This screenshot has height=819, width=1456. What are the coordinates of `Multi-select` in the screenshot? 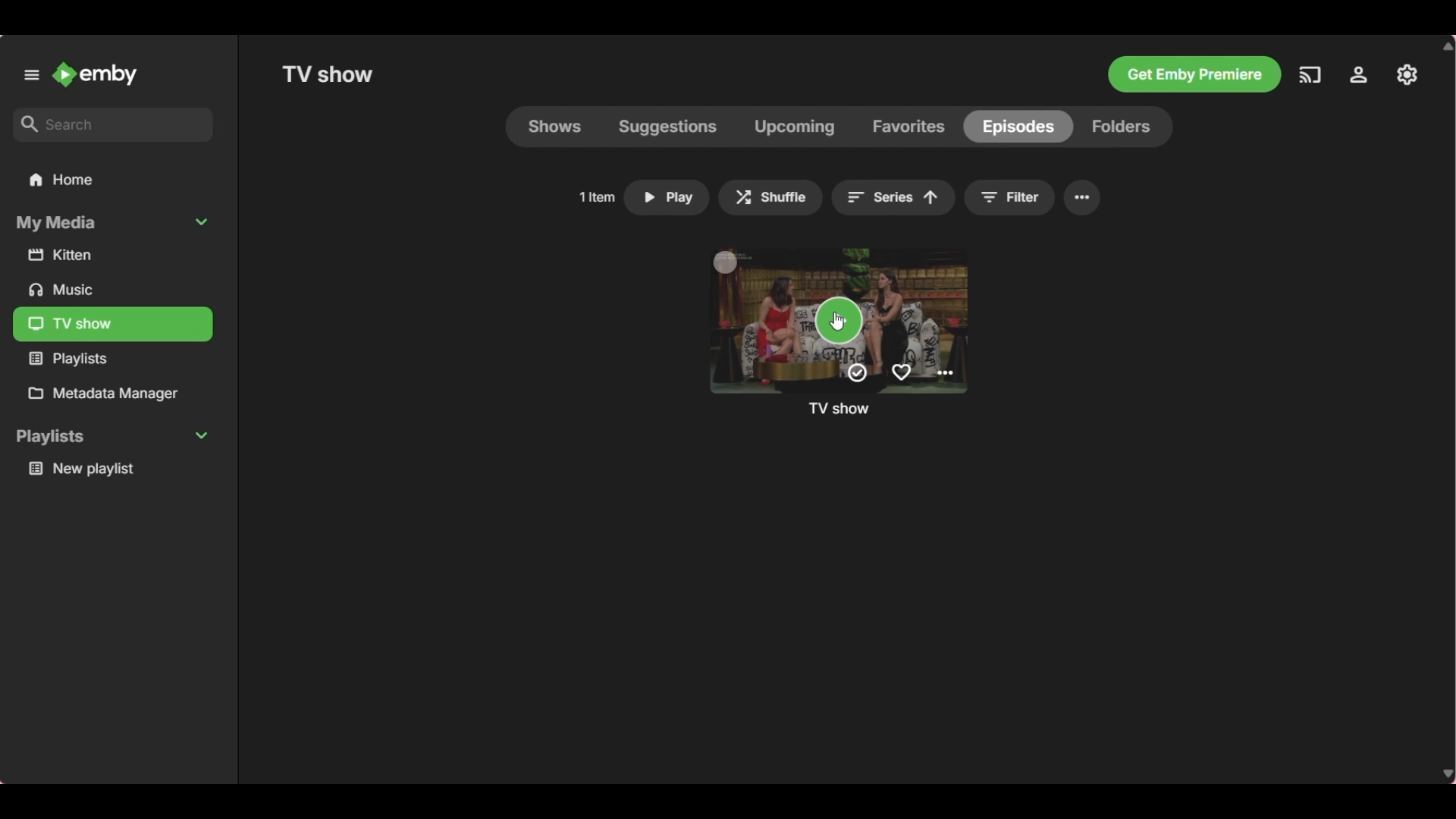 It's located at (726, 262).